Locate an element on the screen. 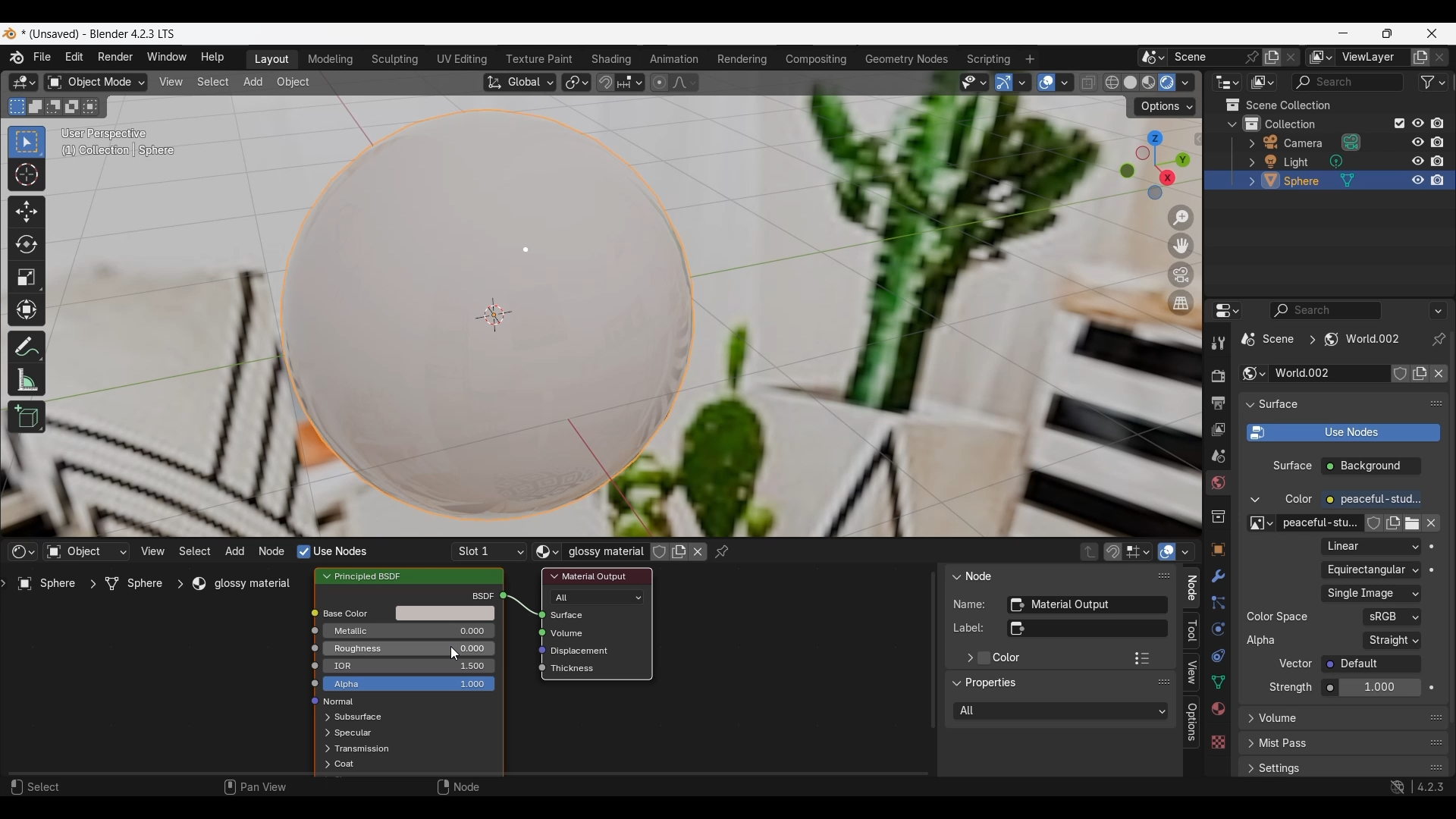 Image resolution: width=1456 pixels, height=819 pixels. UV editing workspace is located at coordinates (460, 59).